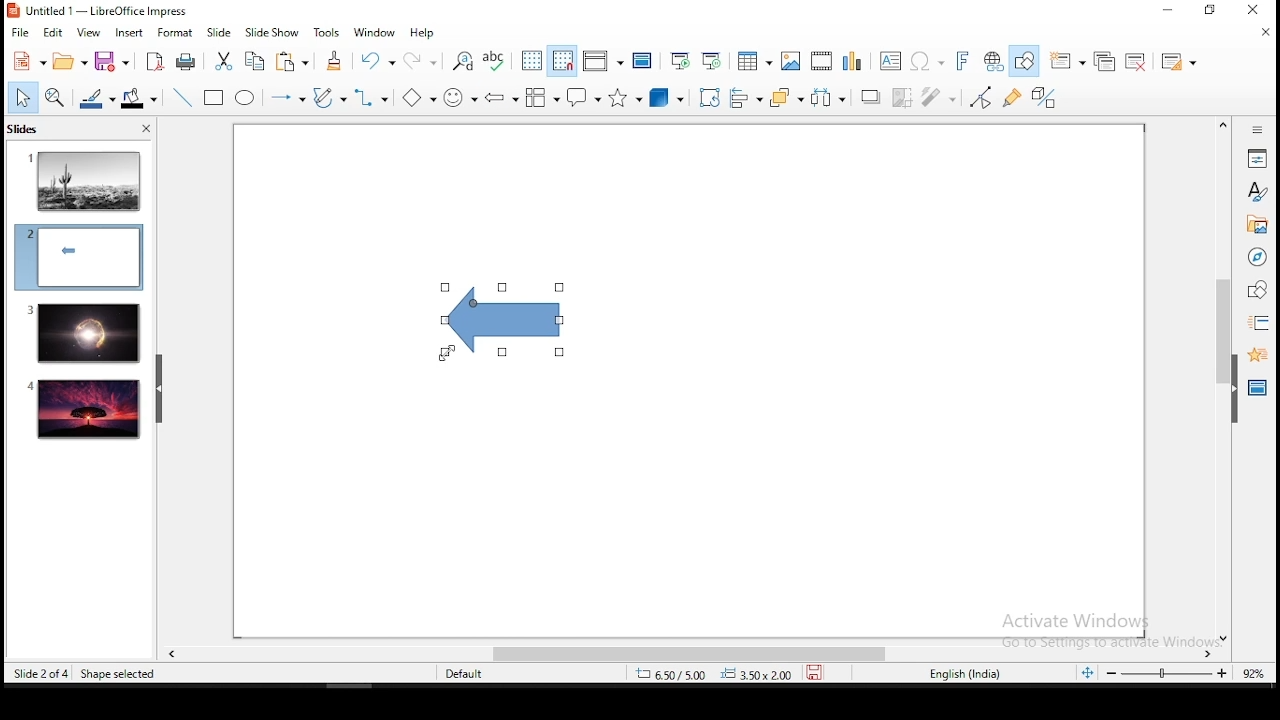  Describe the element at coordinates (128, 33) in the screenshot. I see `insert` at that location.